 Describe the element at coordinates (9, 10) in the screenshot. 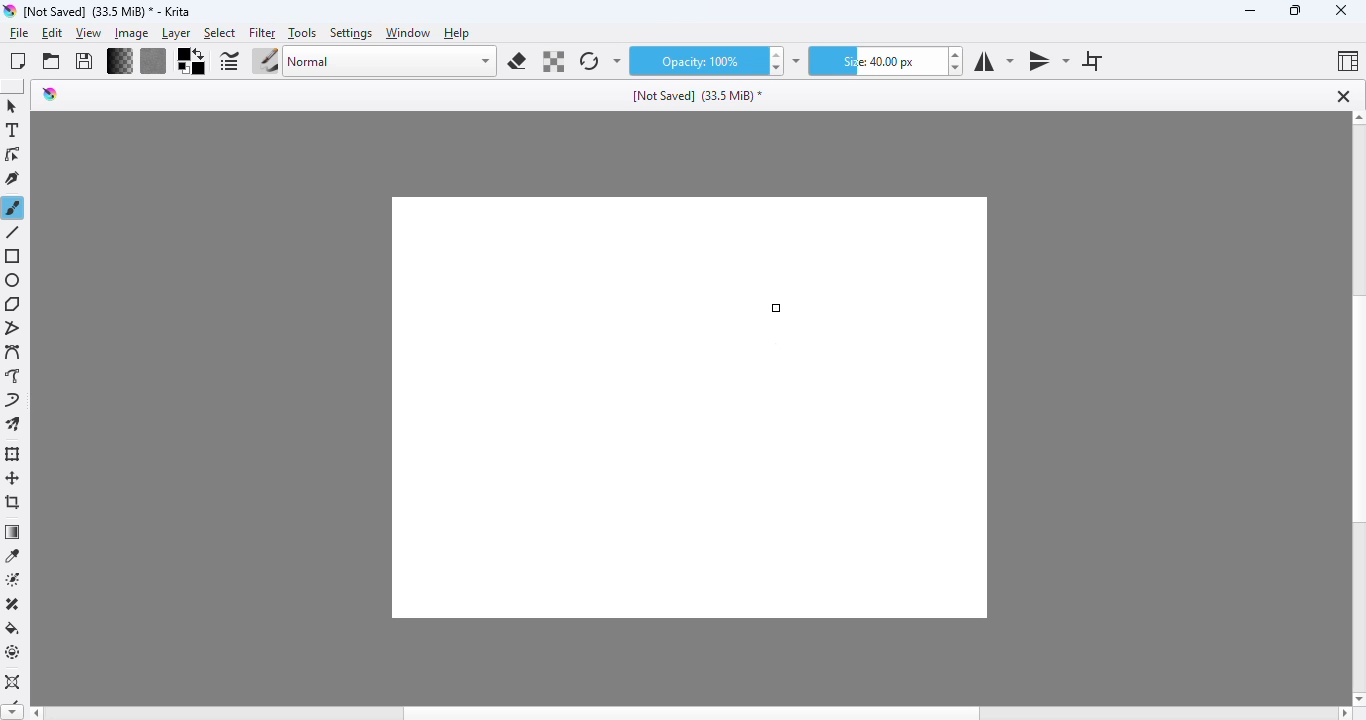

I see `logo` at that location.